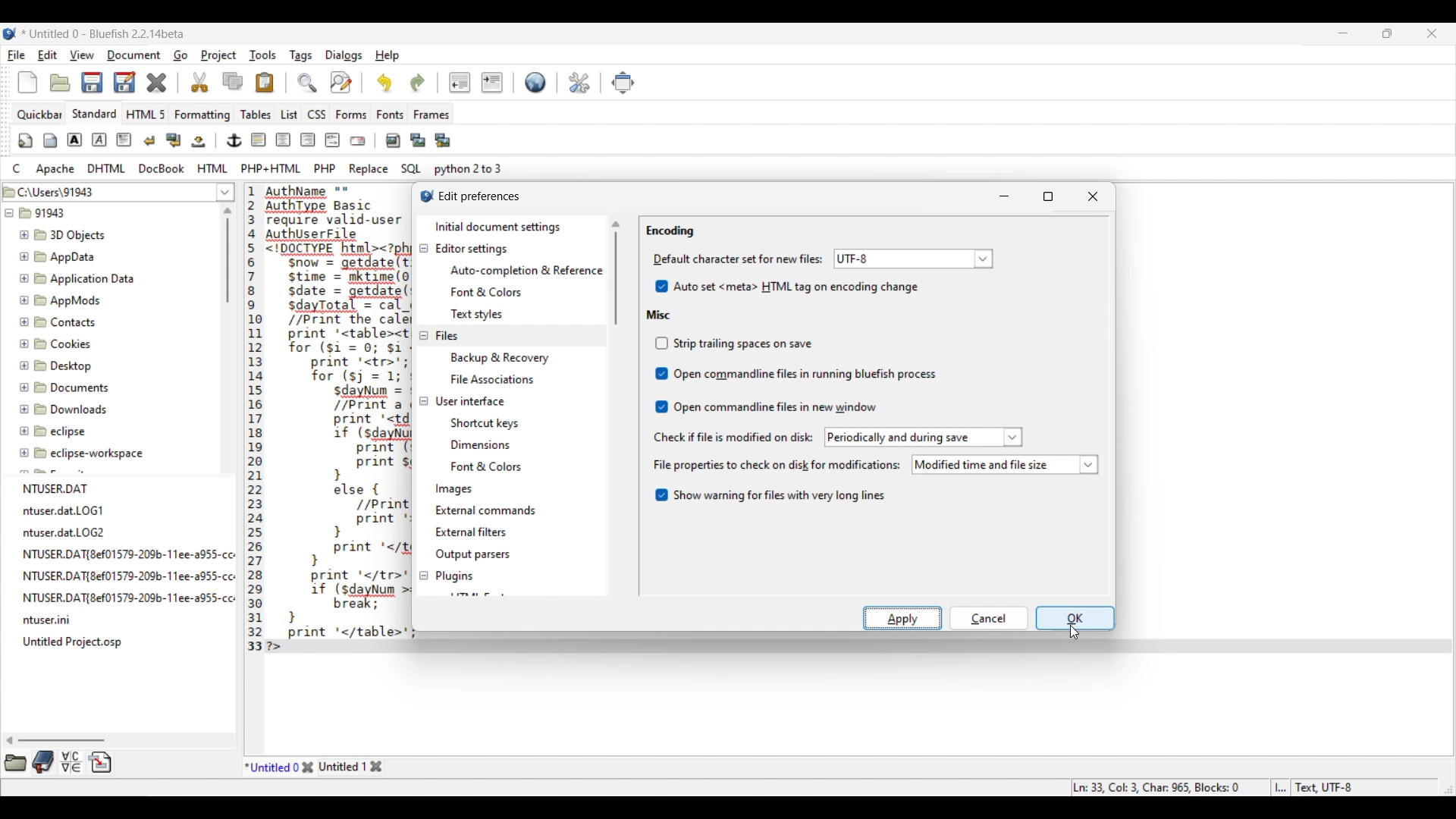 The image size is (1456, 819). What do you see at coordinates (480, 197) in the screenshot?
I see `Window title` at bounding box center [480, 197].